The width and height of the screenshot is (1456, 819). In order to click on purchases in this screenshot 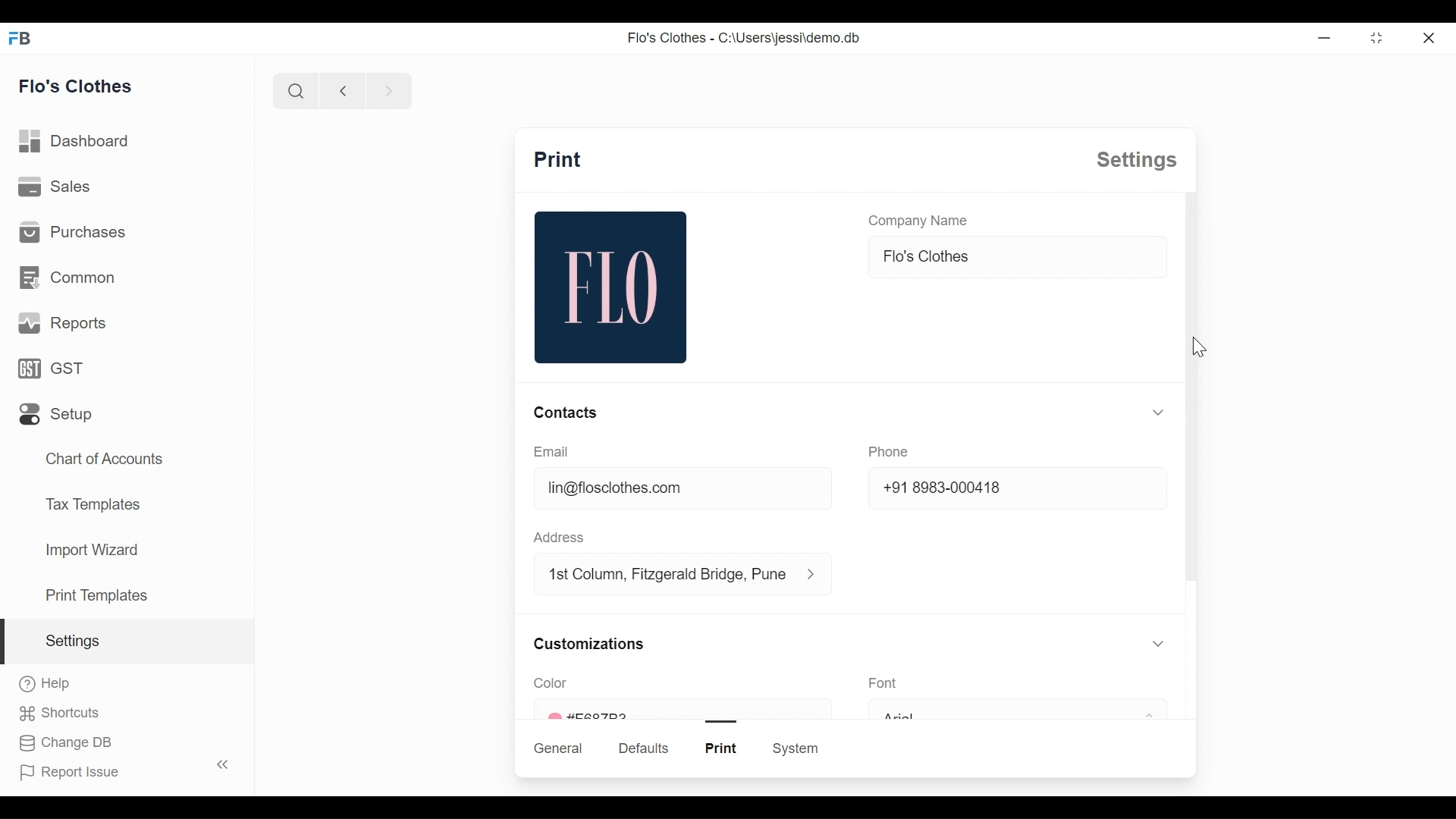, I will do `click(71, 231)`.